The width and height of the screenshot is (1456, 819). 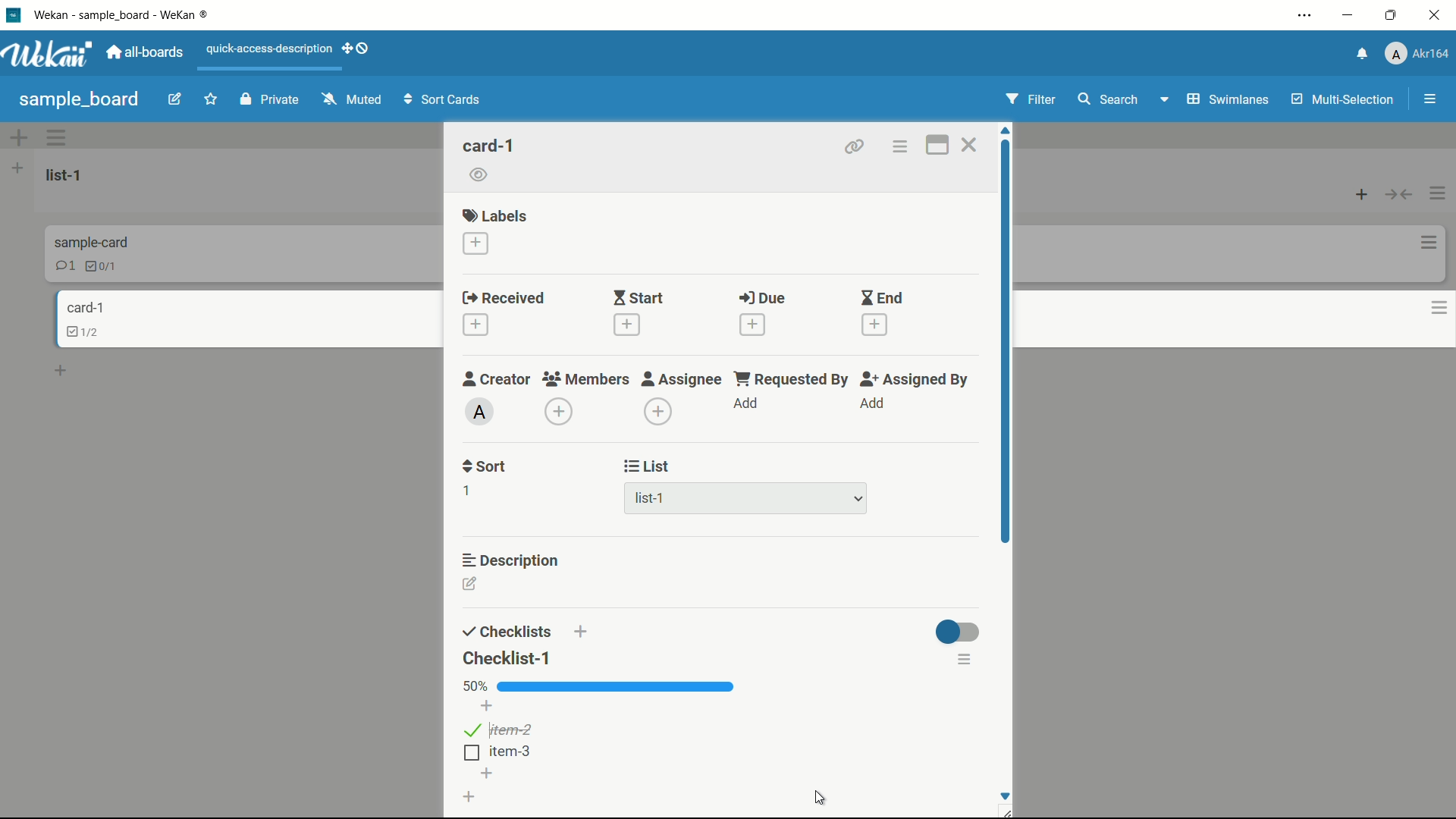 I want to click on dropdown, so click(x=858, y=497).